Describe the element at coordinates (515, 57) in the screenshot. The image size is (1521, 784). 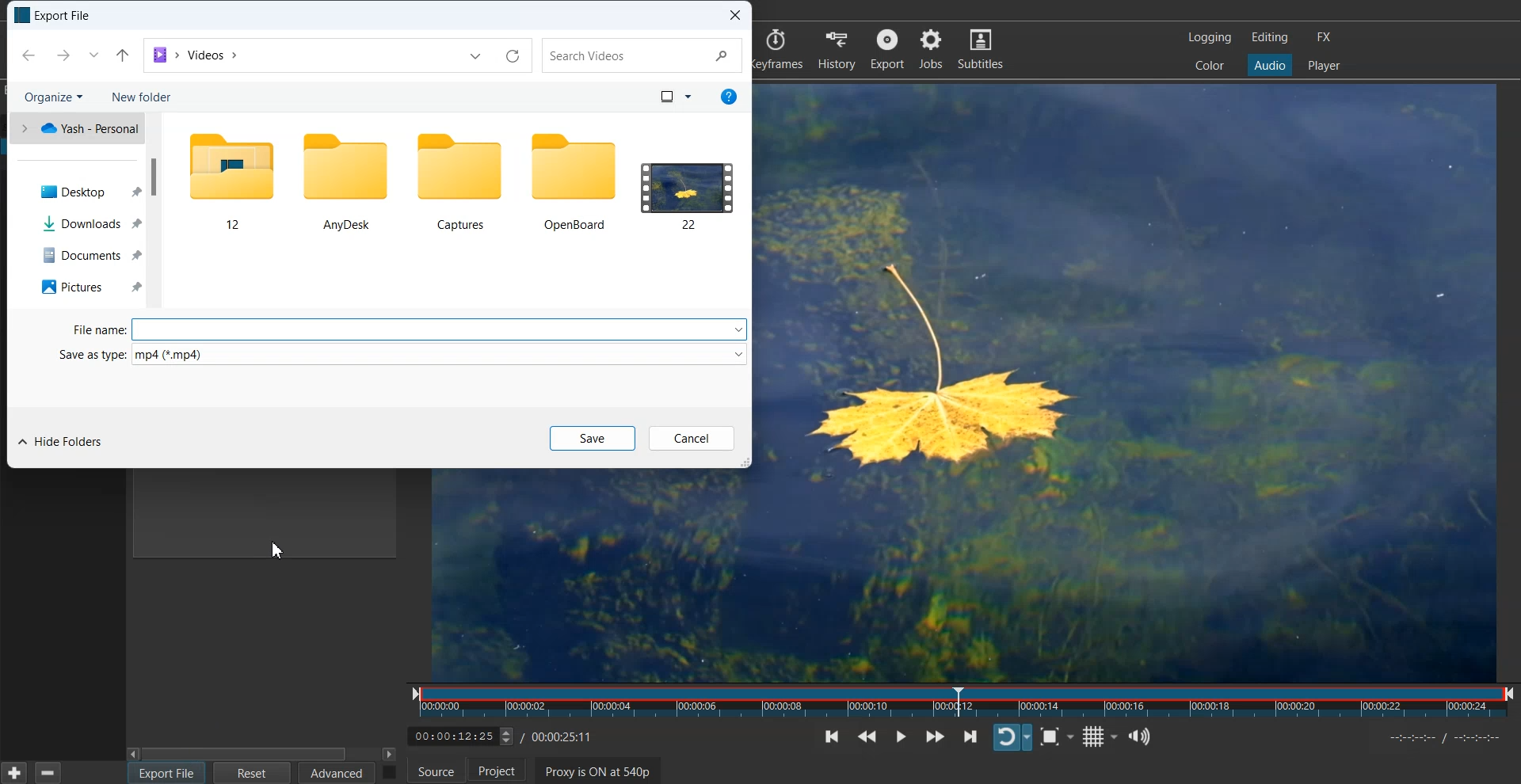
I see `reload` at that location.